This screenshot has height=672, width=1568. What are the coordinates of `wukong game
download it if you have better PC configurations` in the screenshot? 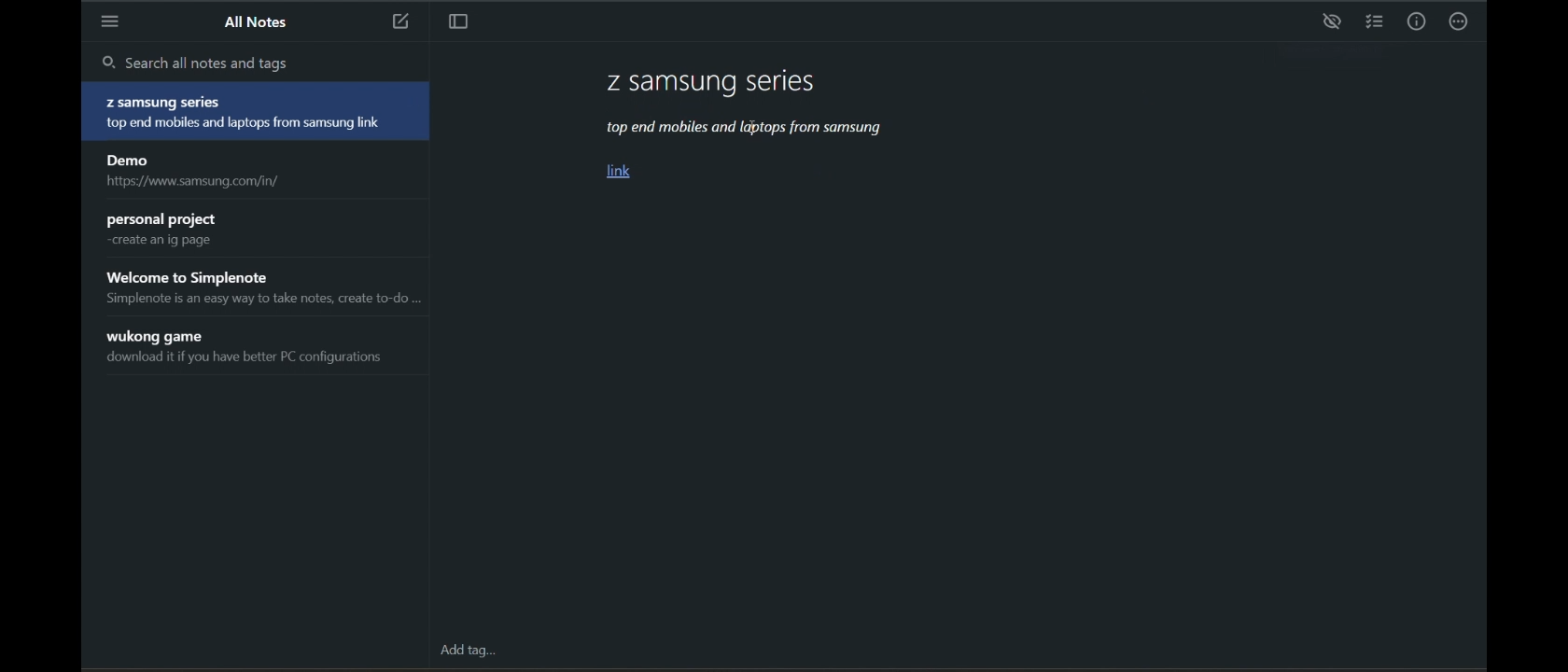 It's located at (261, 348).